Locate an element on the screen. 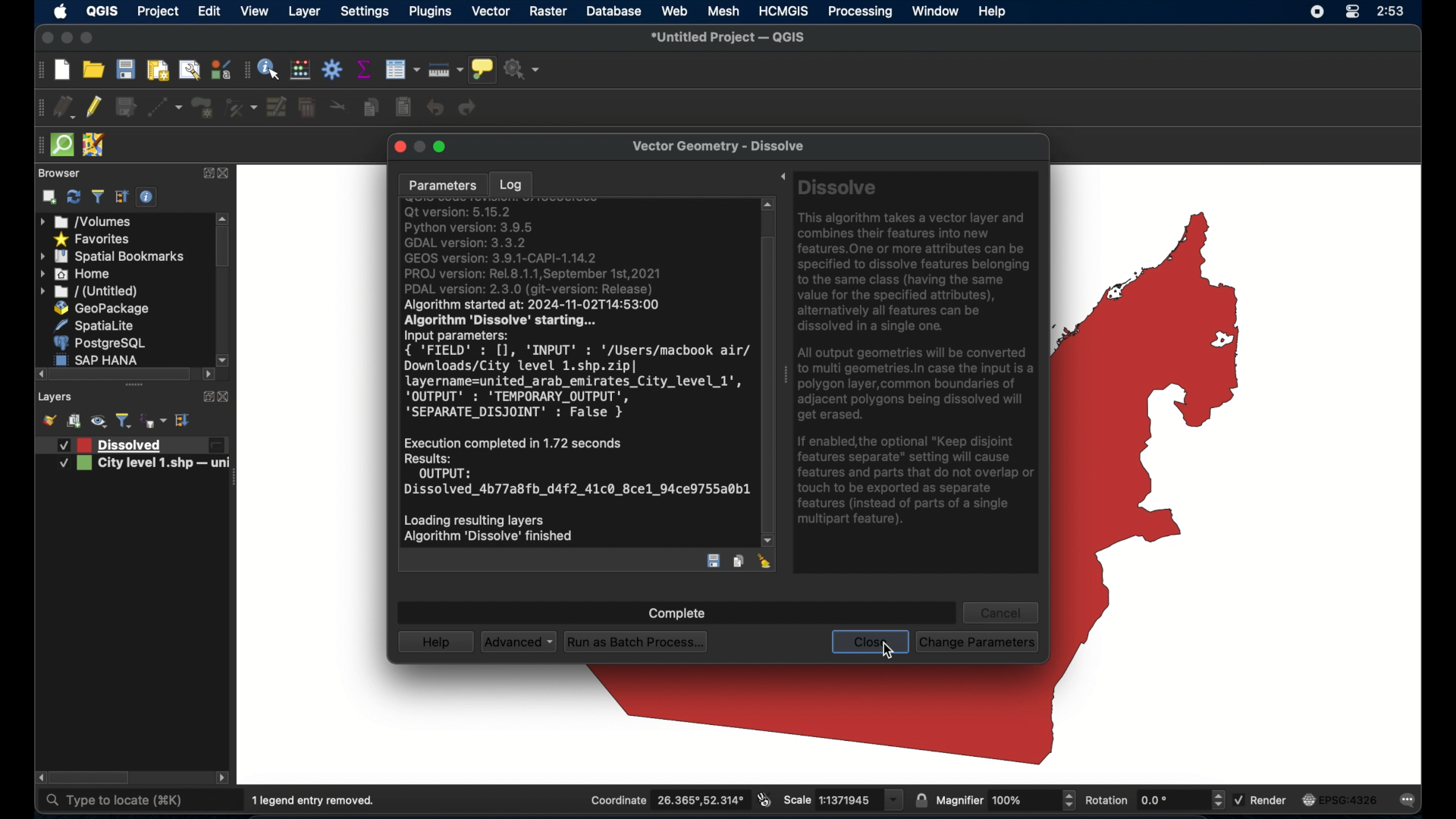 The height and width of the screenshot is (819, 1456). modify attributes is located at coordinates (275, 107).